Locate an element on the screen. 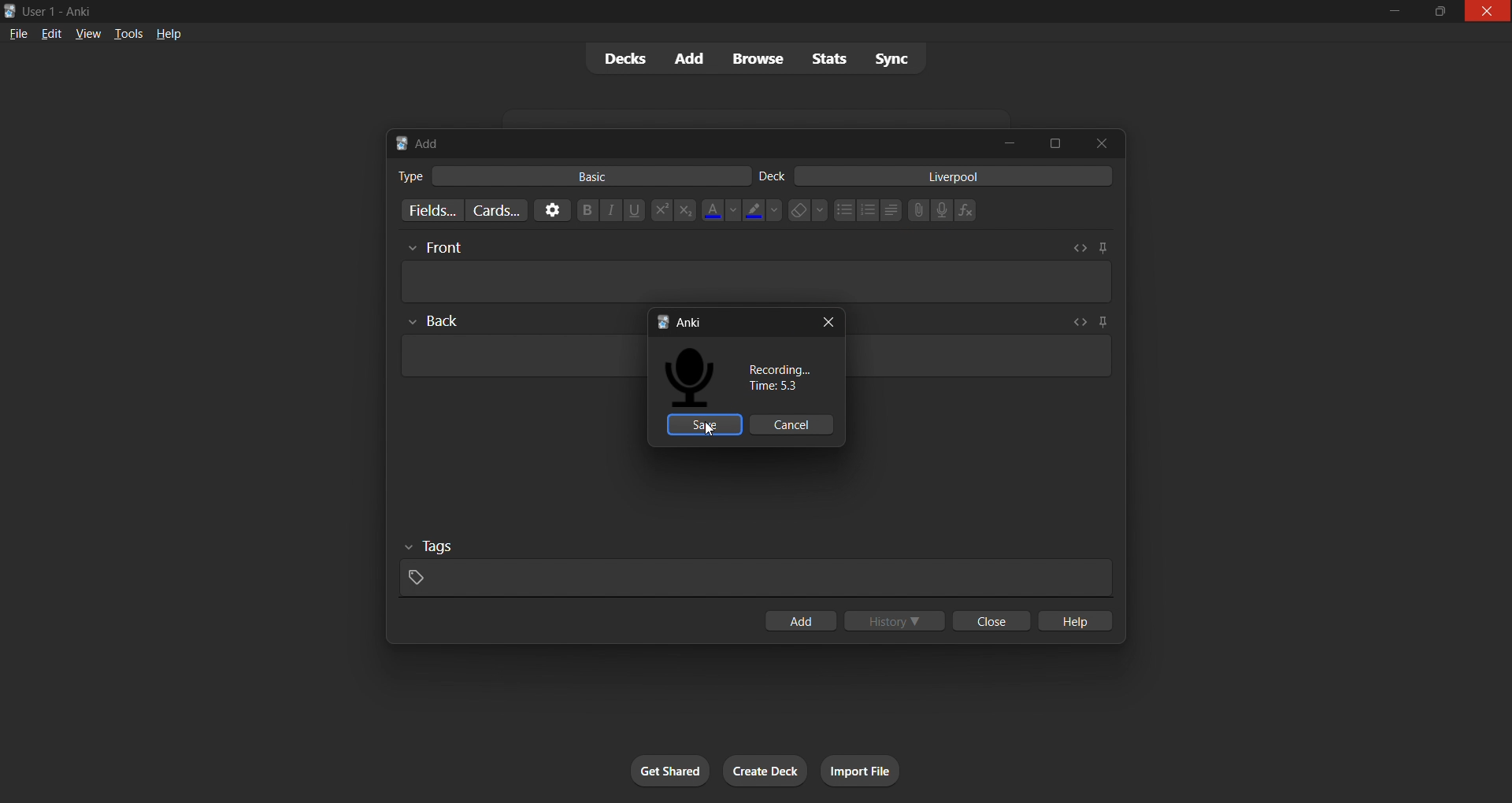  add audio is located at coordinates (942, 209).